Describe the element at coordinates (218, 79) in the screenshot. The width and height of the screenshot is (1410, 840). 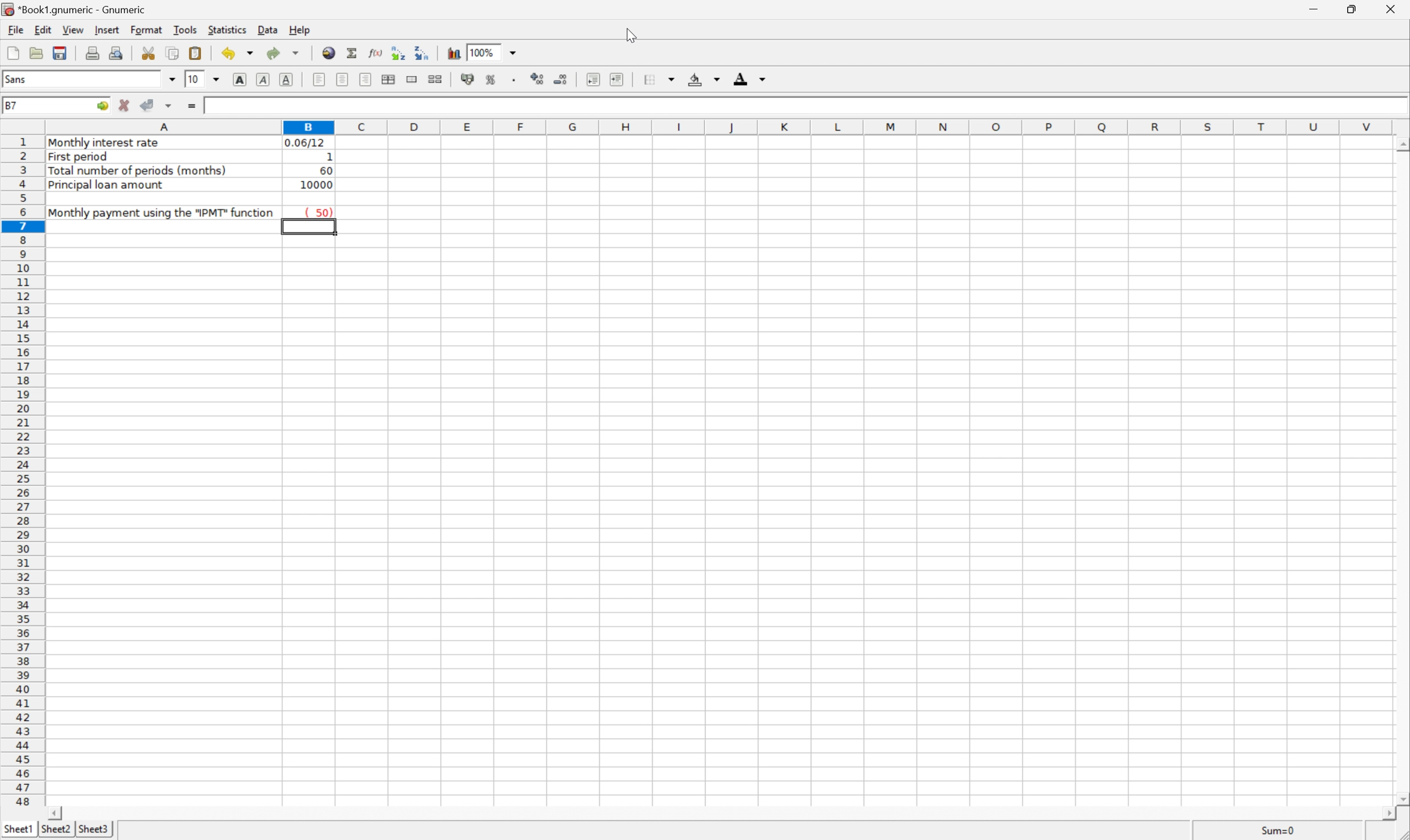
I see `Drop Down` at that location.